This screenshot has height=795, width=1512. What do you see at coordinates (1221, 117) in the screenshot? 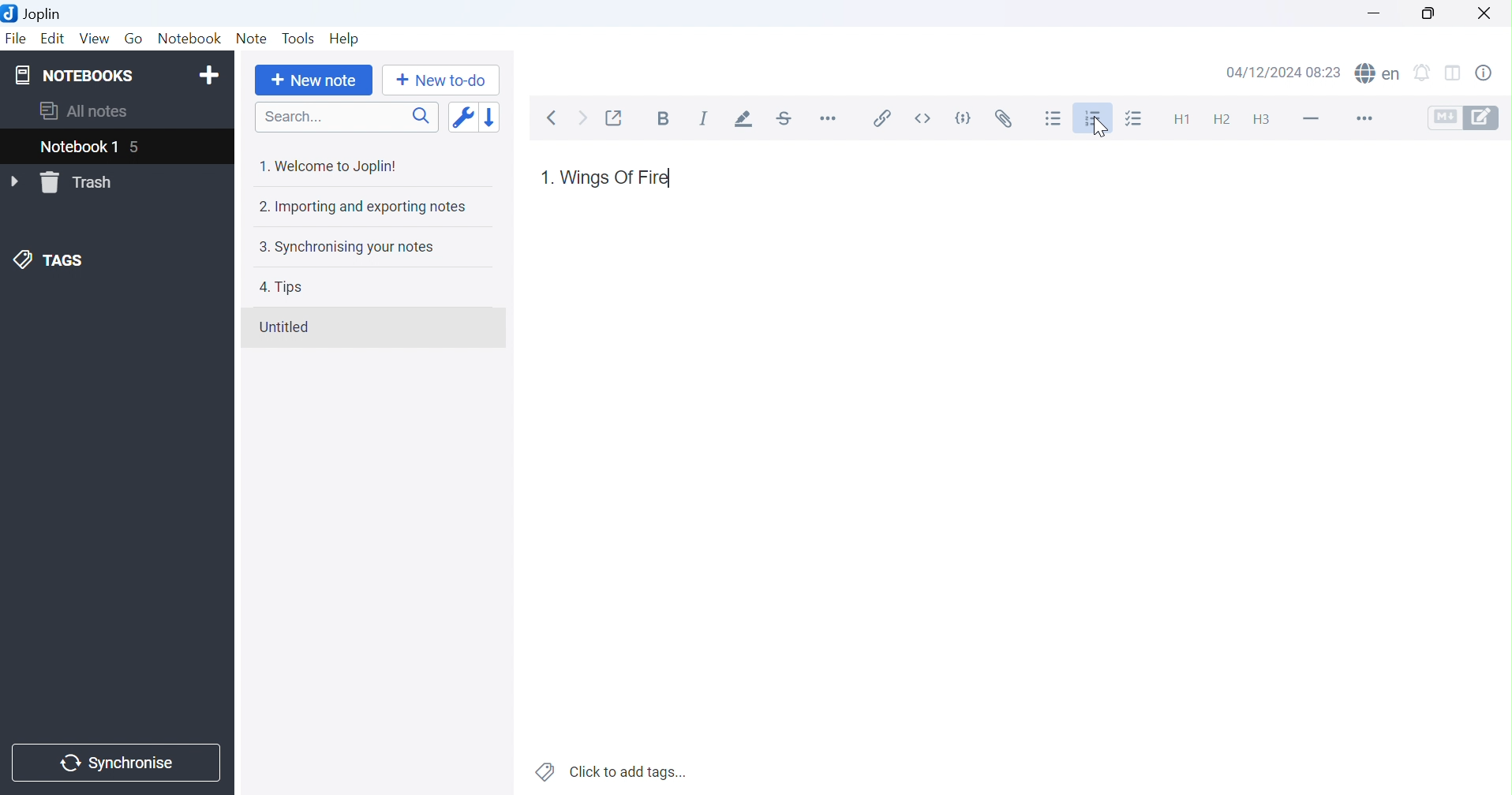
I see `Heading 2` at bounding box center [1221, 117].